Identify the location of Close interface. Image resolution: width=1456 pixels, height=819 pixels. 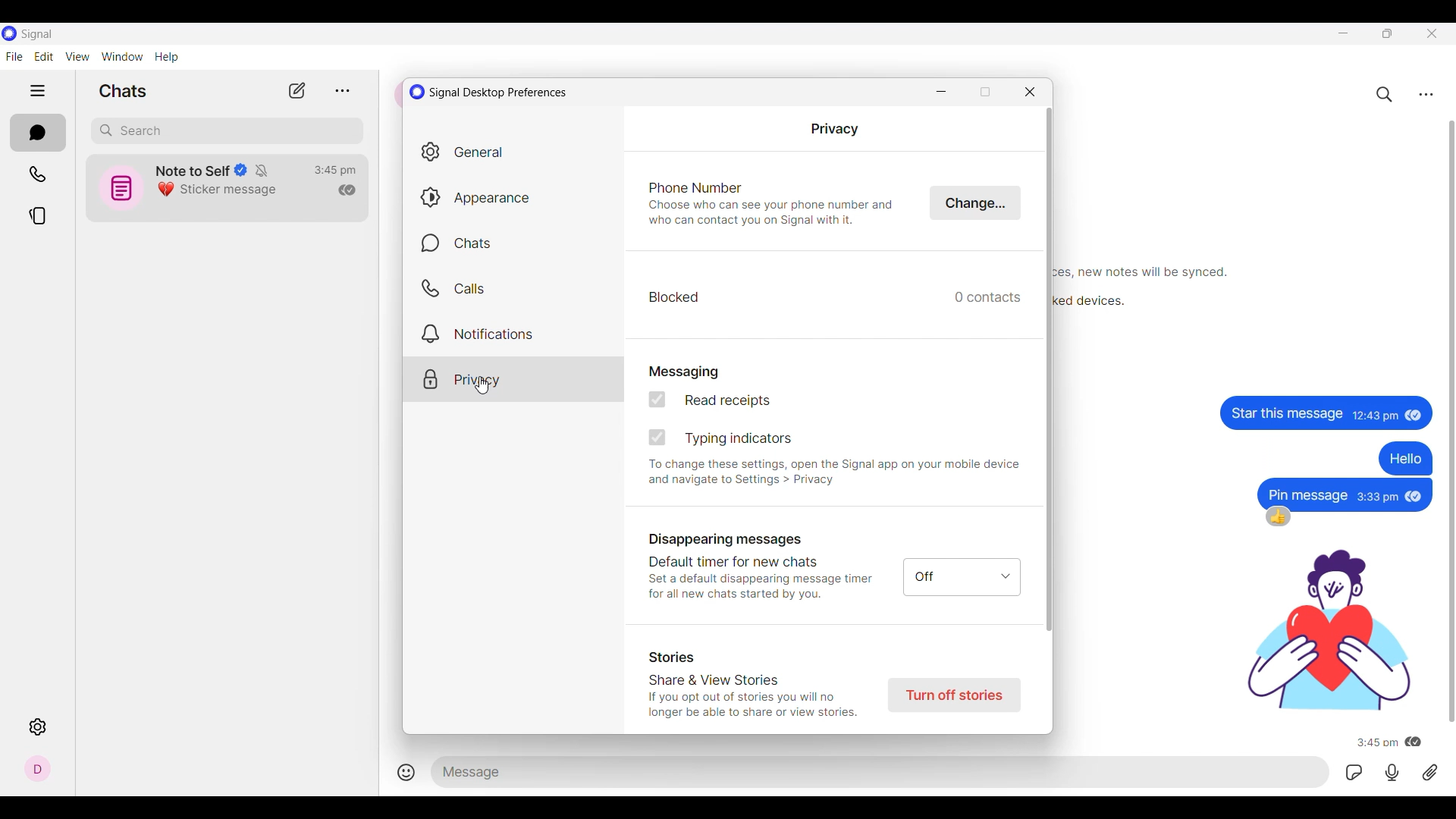
(1432, 33).